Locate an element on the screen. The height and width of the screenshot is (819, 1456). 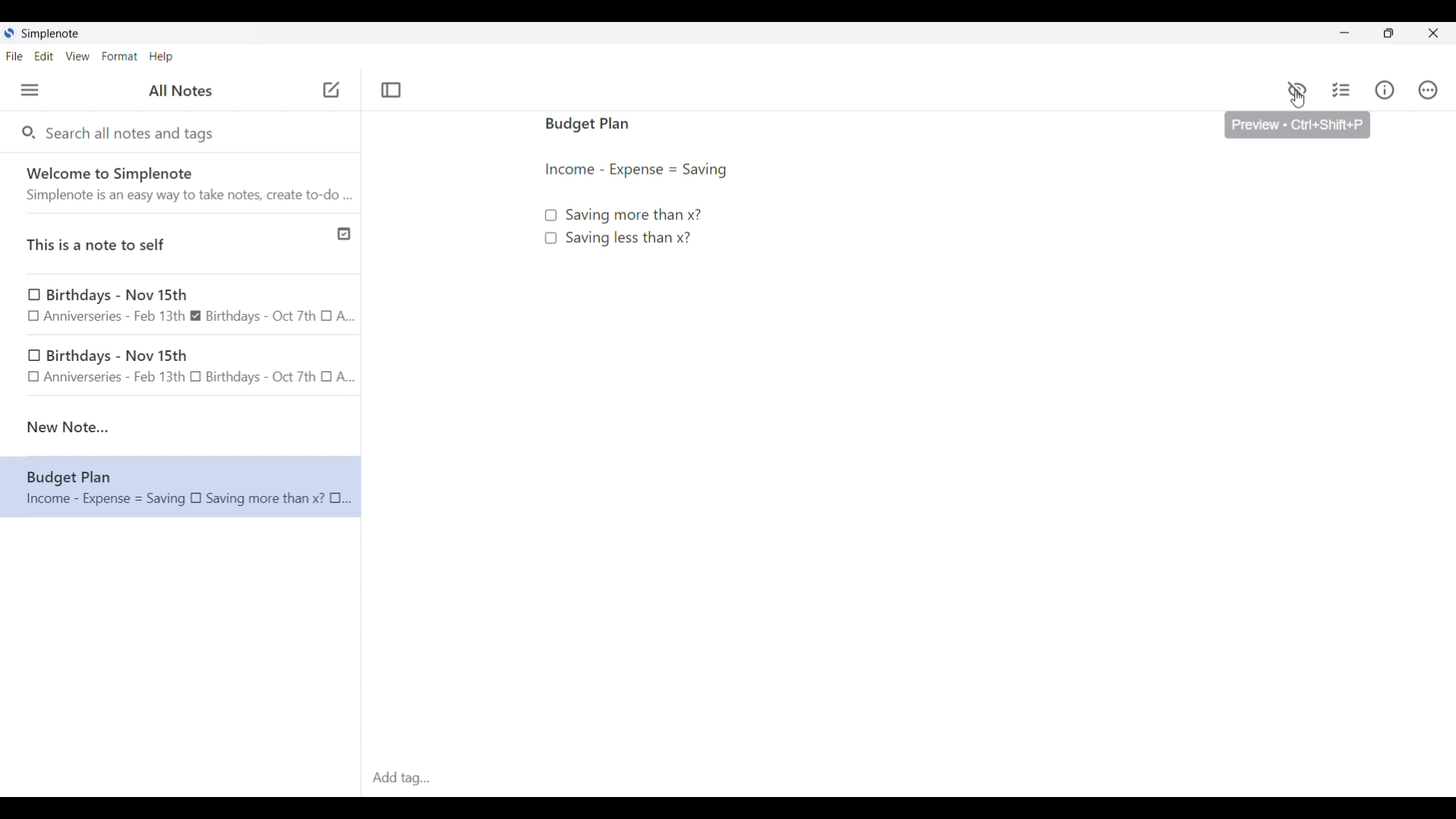
View menu is located at coordinates (78, 55).